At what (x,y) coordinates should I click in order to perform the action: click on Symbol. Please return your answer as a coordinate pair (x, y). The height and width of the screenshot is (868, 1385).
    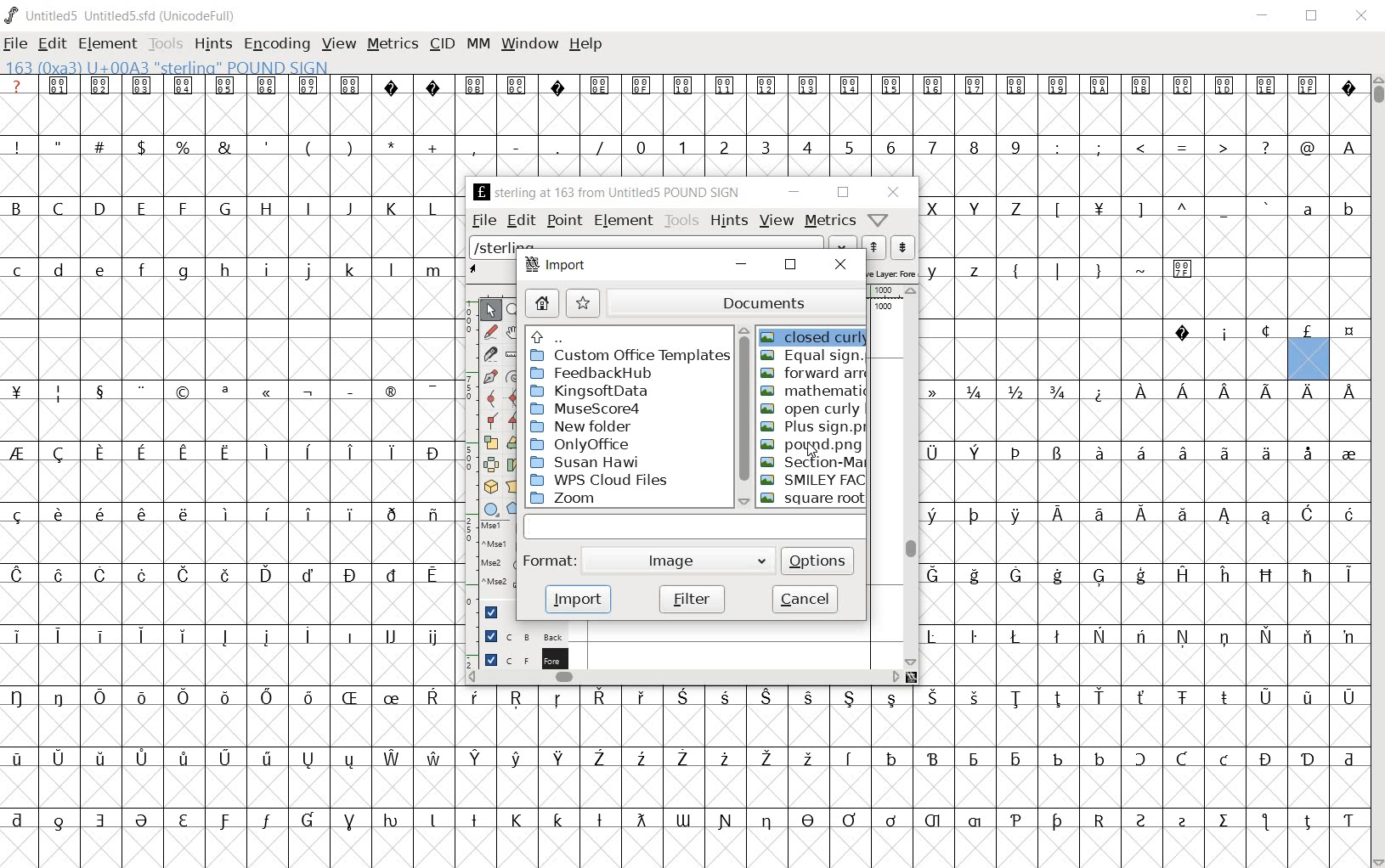
    Looking at the image, I should click on (140, 391).